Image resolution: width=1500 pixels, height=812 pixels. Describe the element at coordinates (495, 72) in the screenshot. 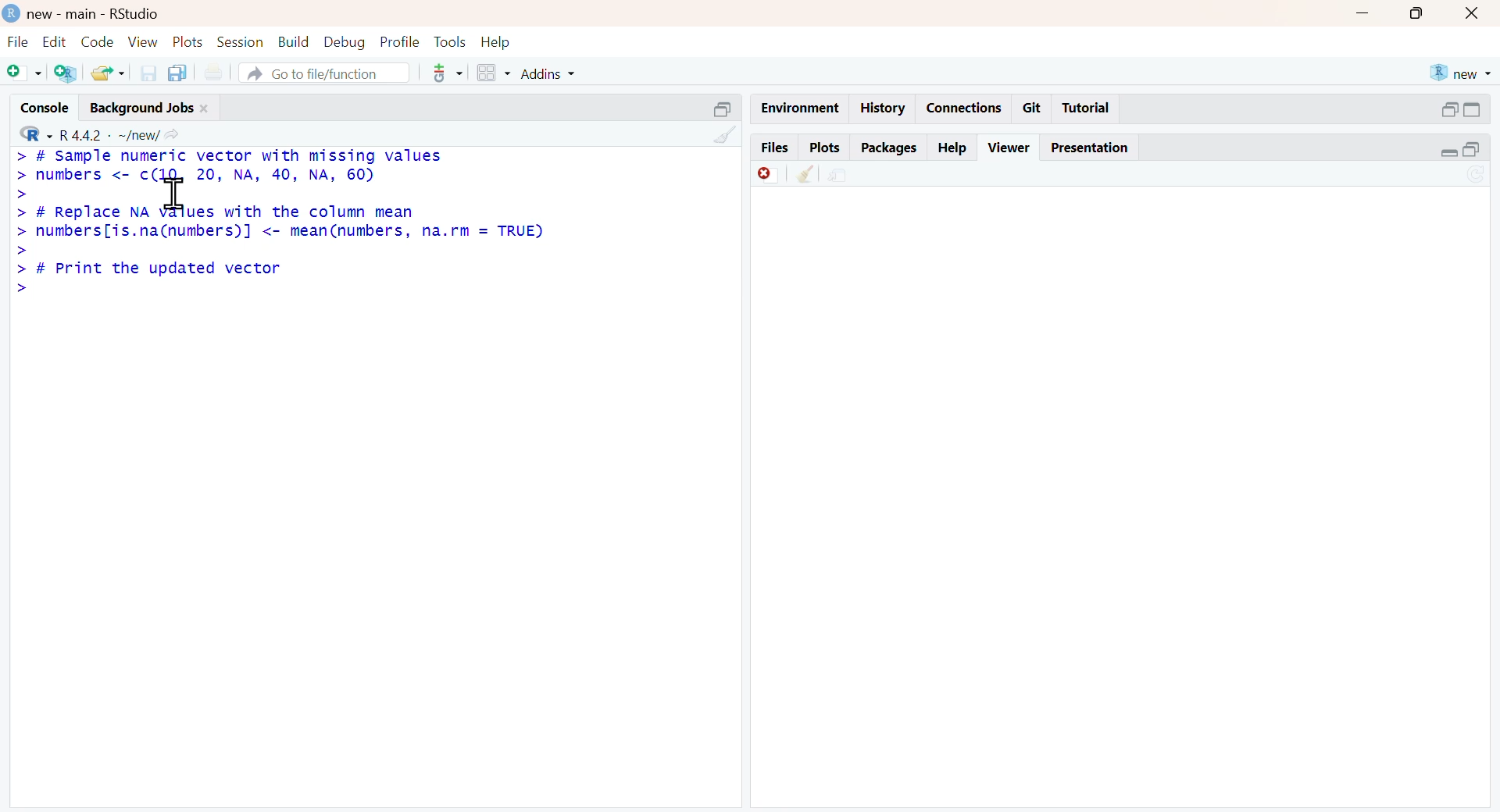

I see `grid` at that location.